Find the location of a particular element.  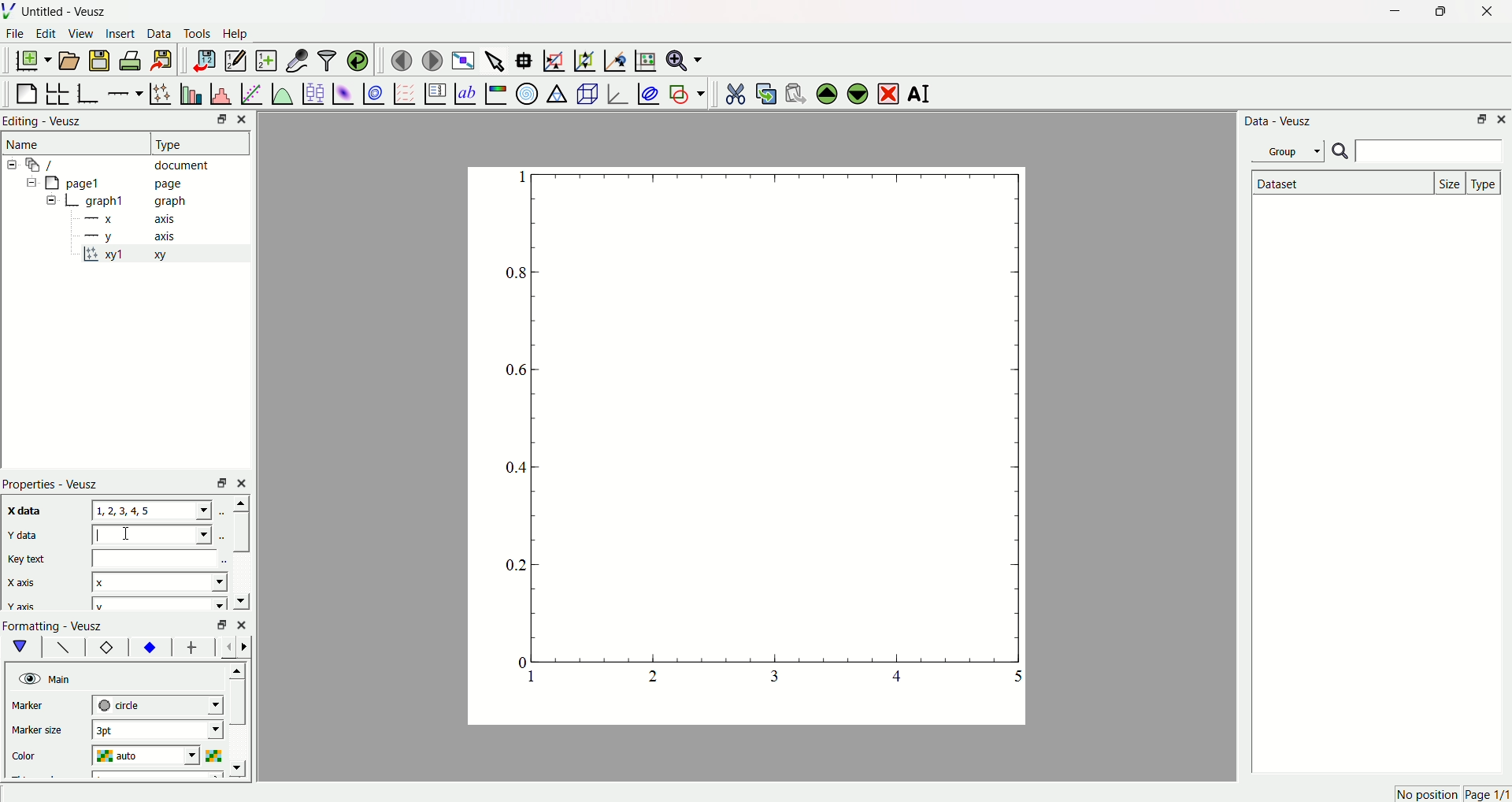

plot key is located at coordinates (434, 91).